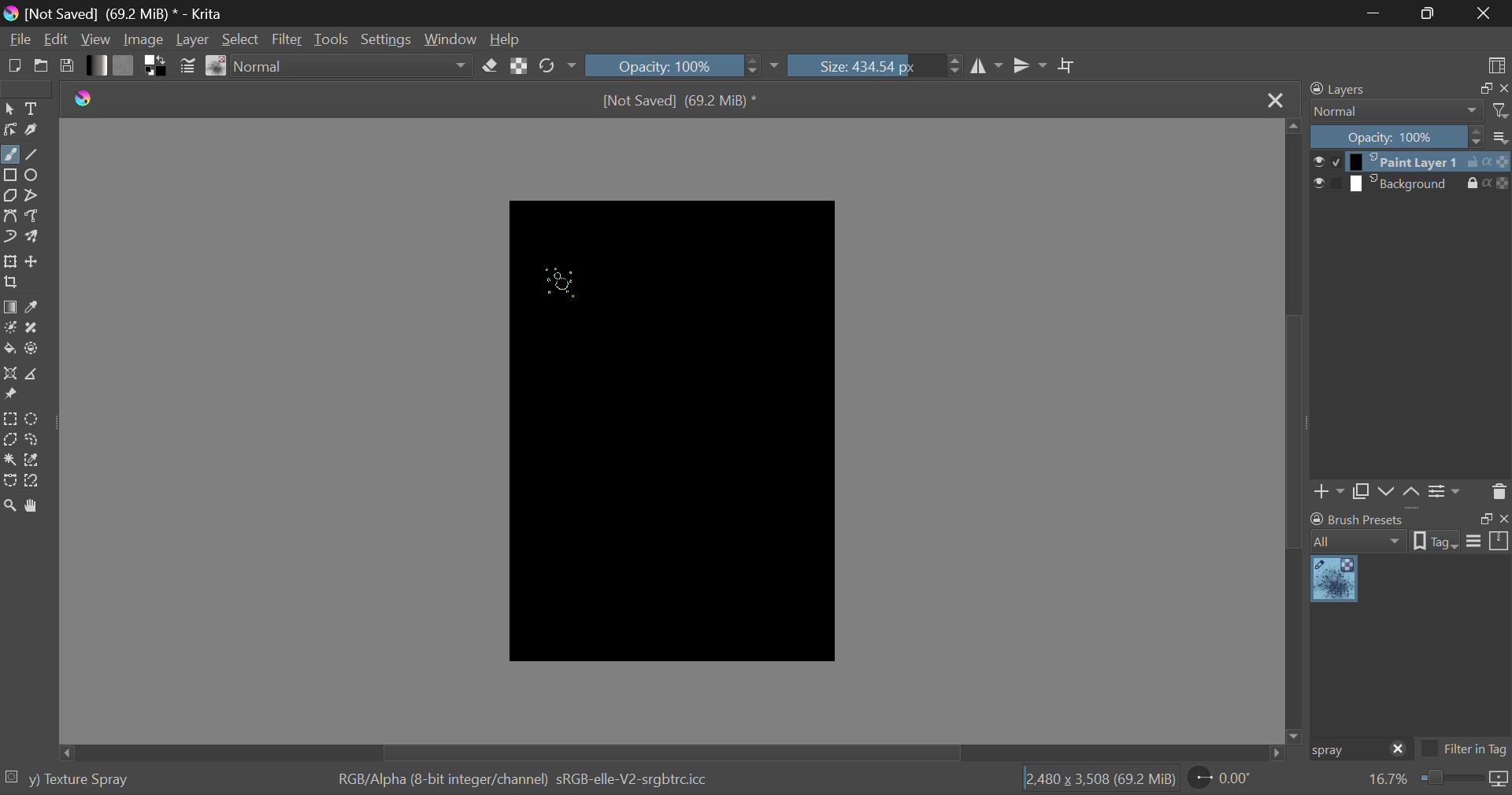 Image resolution: width=1512 pixels, height=795 pixels. What do you see at coordinates (1483, 89) in the screenshot?
I see `restore` at bounding box center [1483, 89].